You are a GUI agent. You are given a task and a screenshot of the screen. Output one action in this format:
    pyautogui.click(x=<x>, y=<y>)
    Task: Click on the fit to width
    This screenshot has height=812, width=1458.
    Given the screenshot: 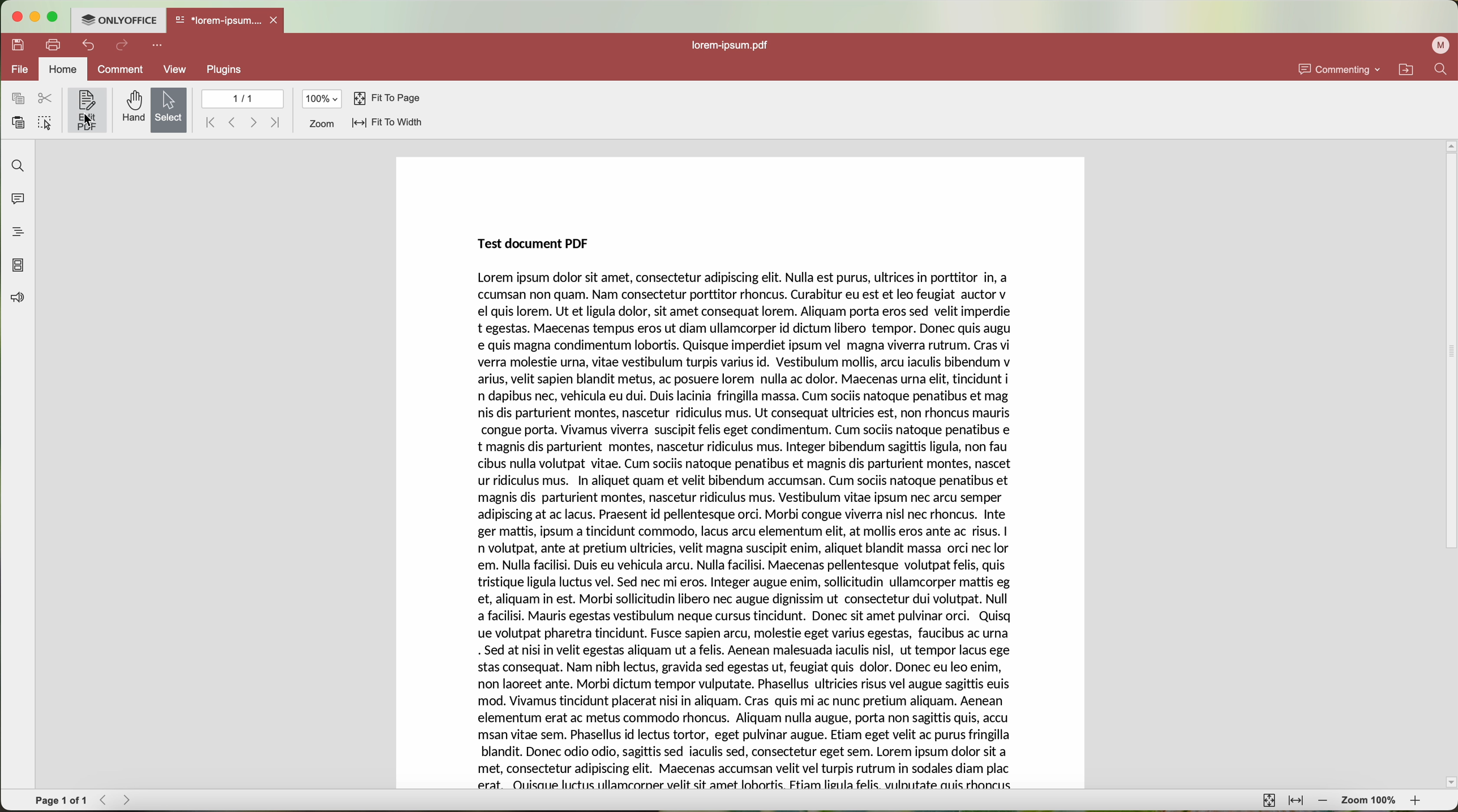 What is the action you would take?
    pyautogui.click(x=389, y=122)
    